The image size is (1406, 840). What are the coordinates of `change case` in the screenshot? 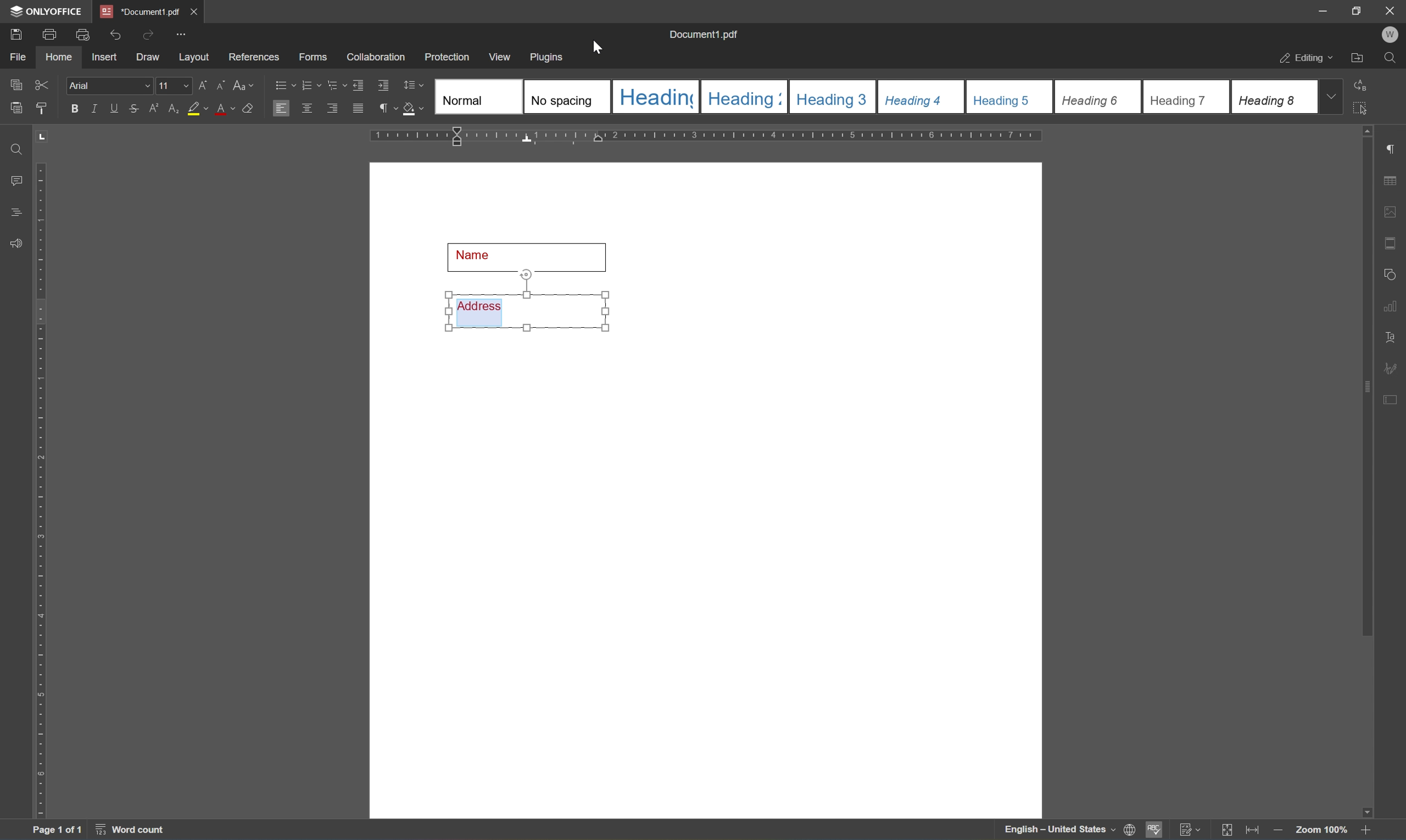 It's located at (245, 87).